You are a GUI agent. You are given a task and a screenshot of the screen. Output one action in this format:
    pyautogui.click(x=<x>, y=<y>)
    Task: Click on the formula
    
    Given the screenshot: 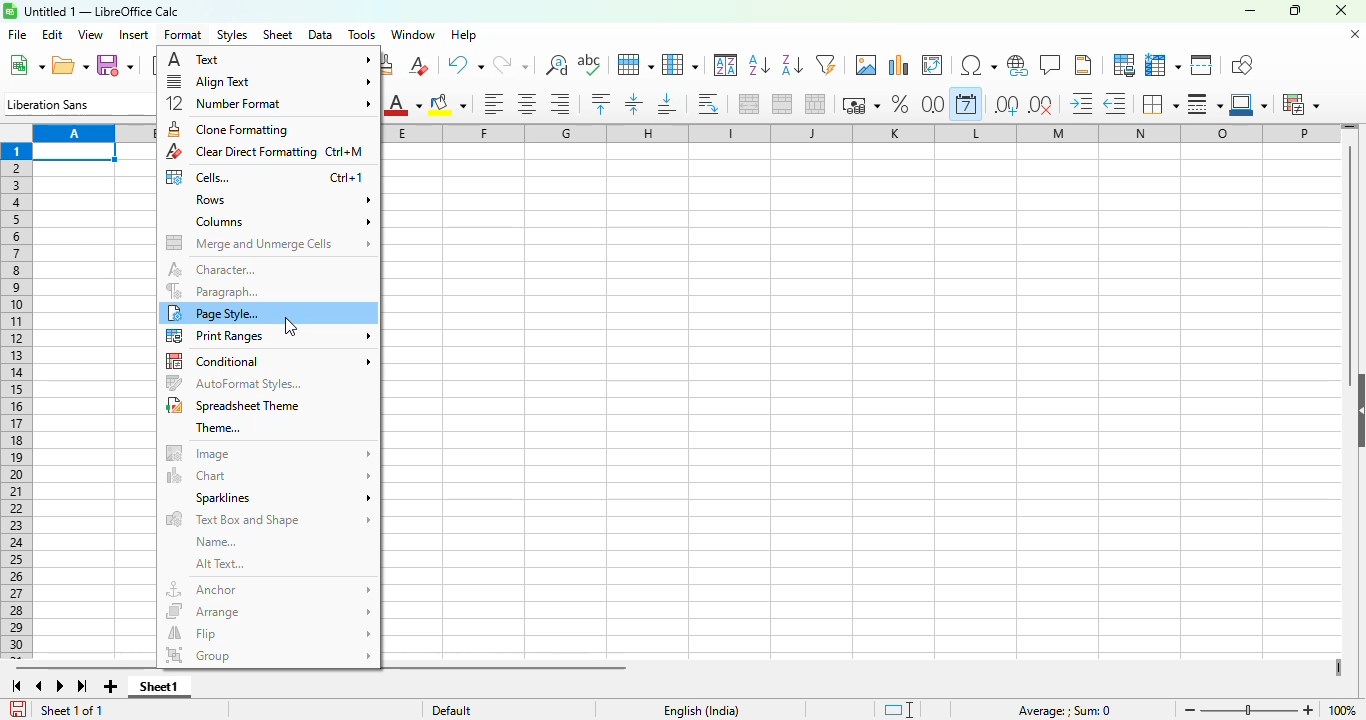 What is the action you would take?
    pyautogui.click(x=1065, y=711)
    